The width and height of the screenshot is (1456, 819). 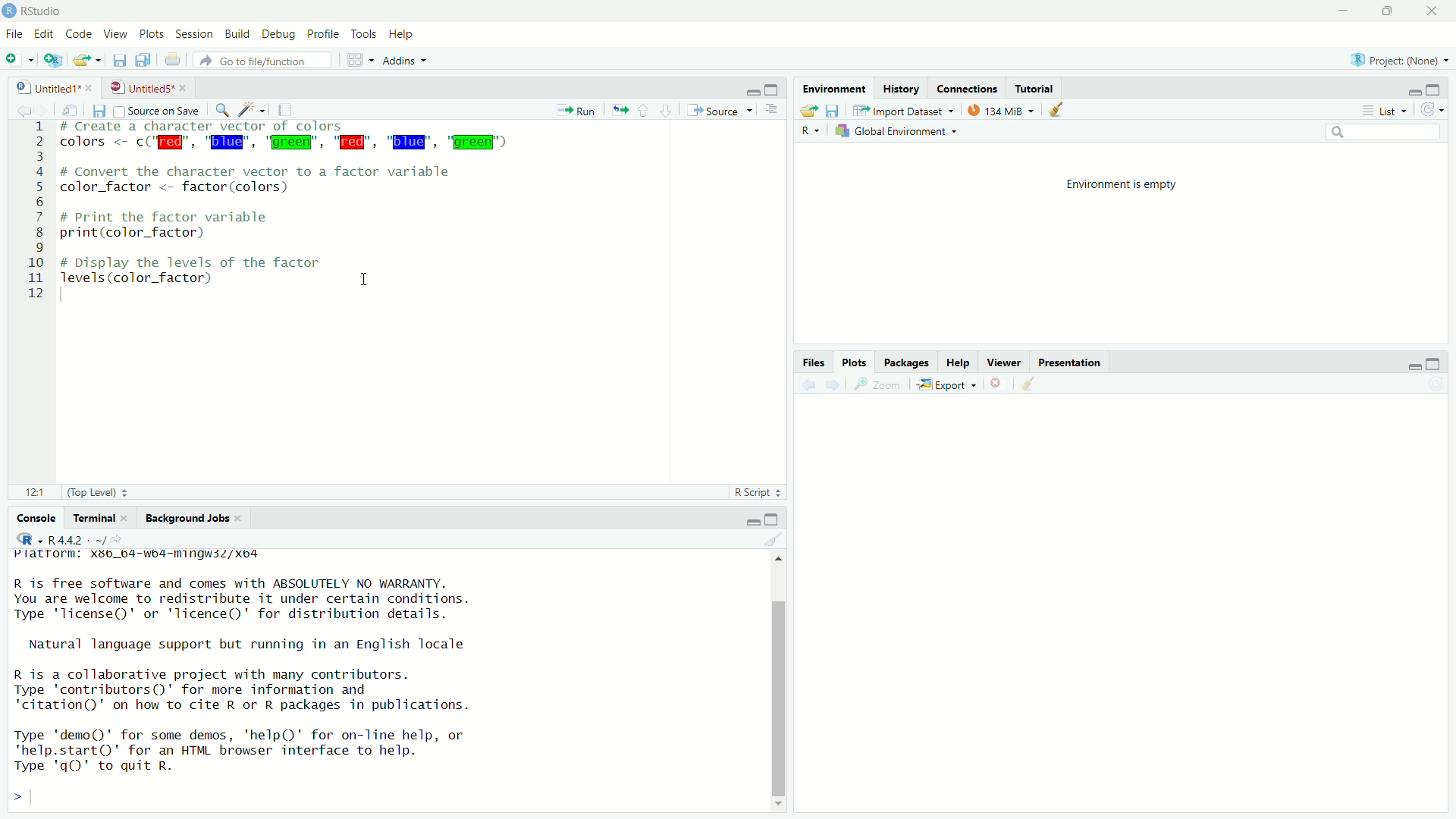 What do you see at coordinates (1382, 111) in the screenshot?
I see `list` at bounding box center [1382, 111].